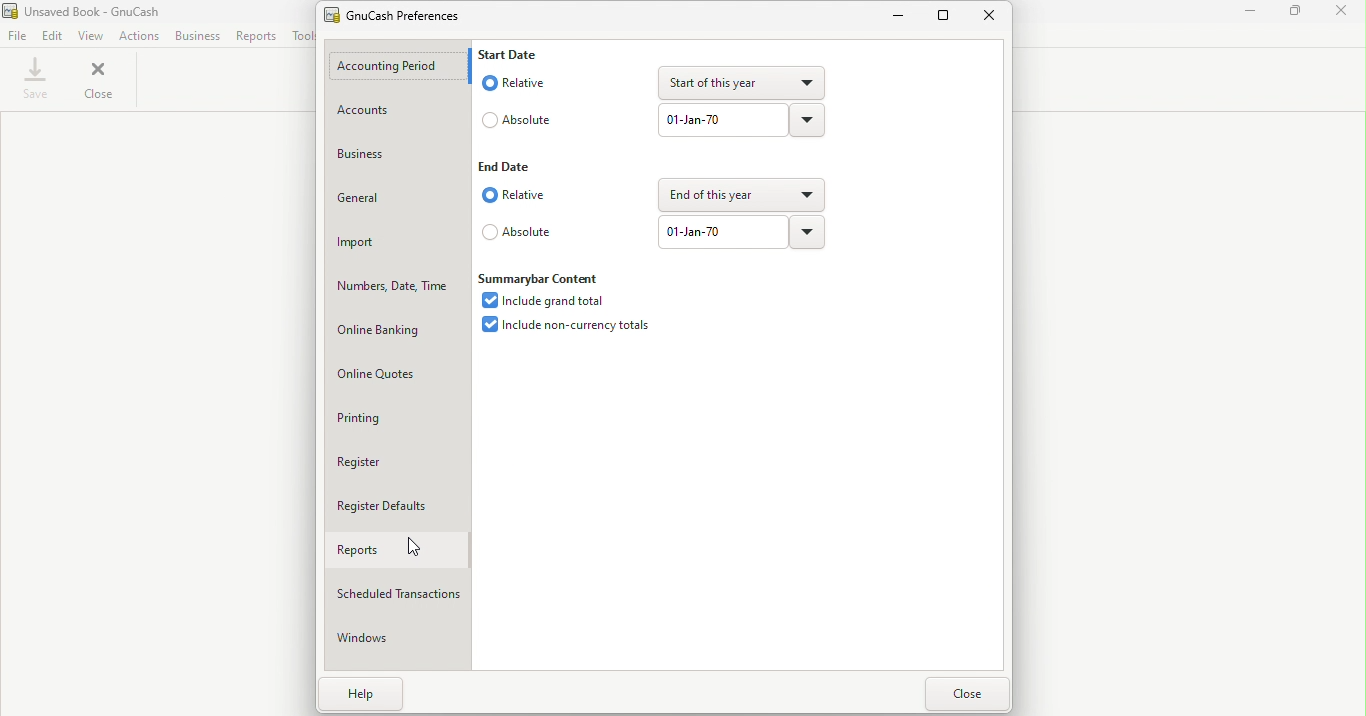 The height and width of the screenshot is (716, 1366). I want to click on Actions, so click(142, 37).